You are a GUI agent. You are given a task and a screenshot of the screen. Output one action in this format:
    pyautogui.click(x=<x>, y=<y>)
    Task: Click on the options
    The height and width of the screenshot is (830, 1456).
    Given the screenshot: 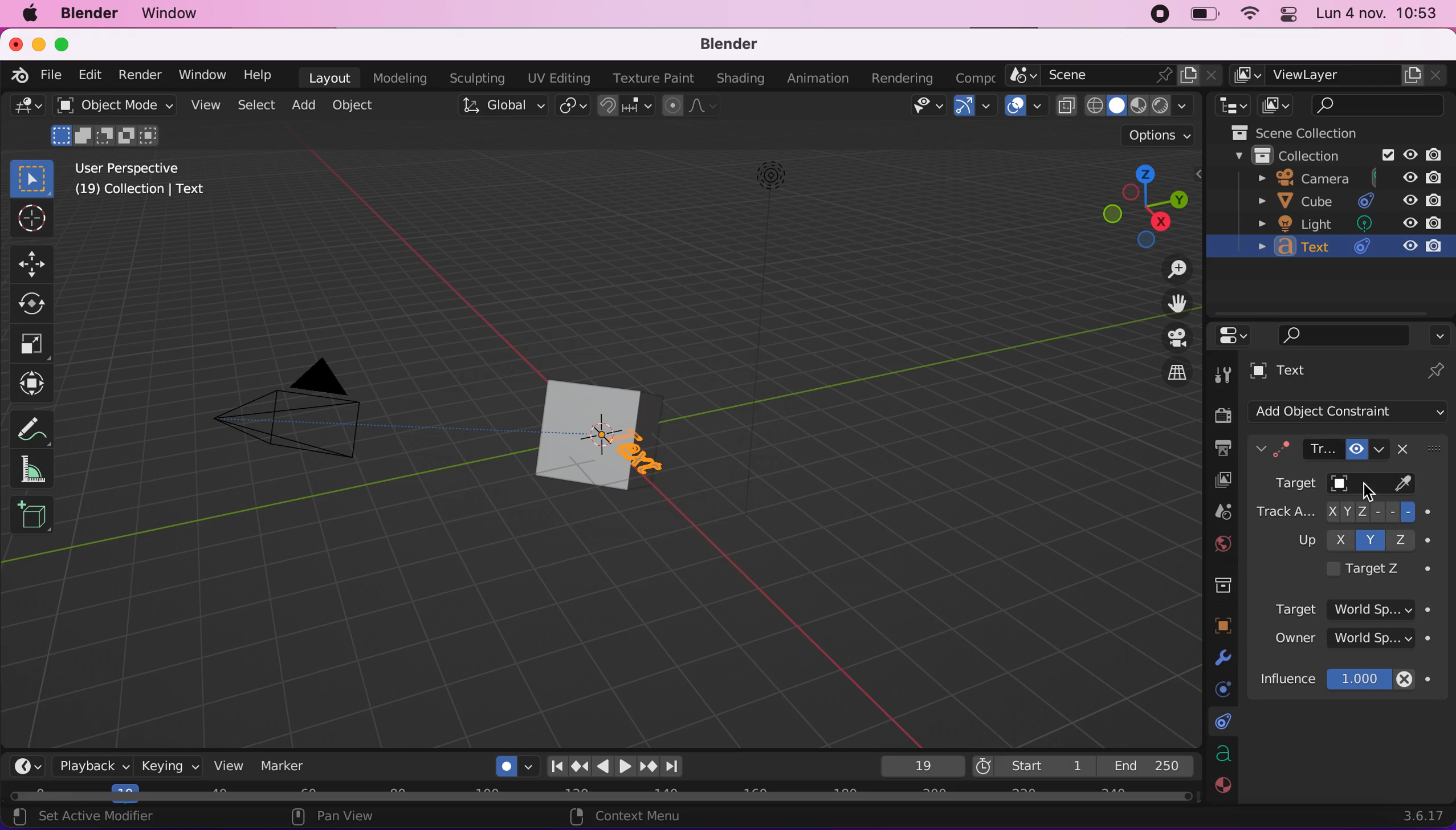 What is the action you would take?
    pyautogui.click(x=1156, y=134)
    